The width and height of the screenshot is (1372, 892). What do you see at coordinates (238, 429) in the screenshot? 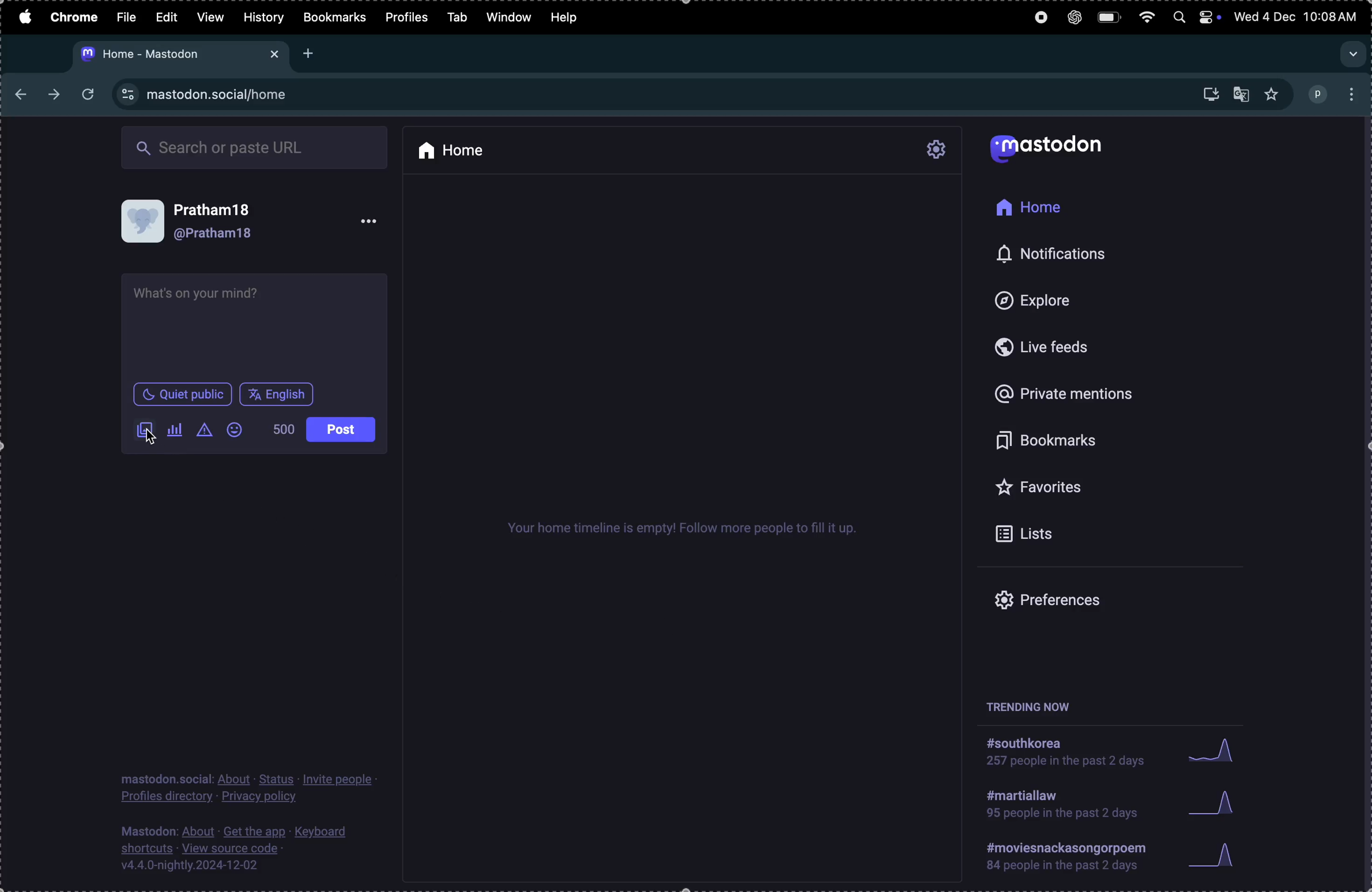
I see `Emoji` at bounding box center [238, 429].